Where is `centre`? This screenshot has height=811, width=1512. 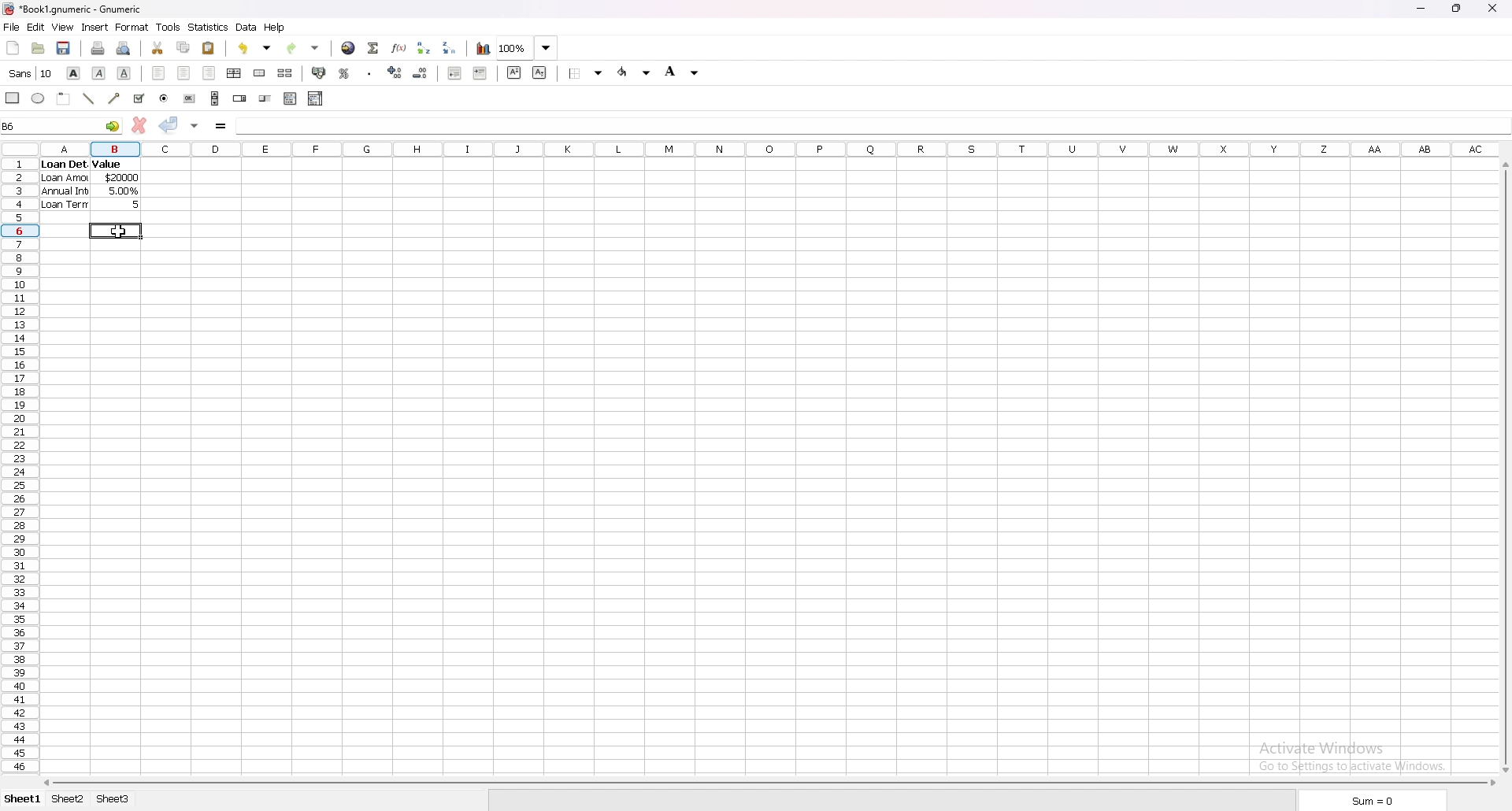
centre is located at coordinates (183, 73).